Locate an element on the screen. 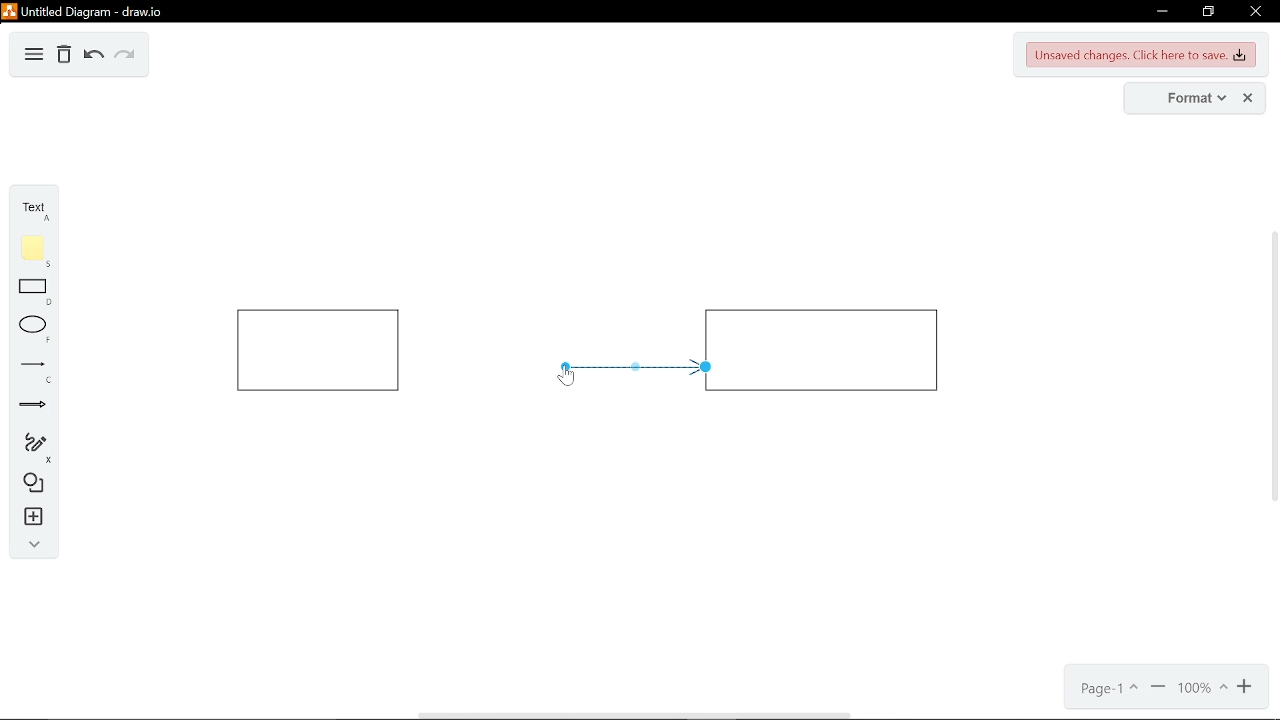  undo is located at coordinates (92, 57).